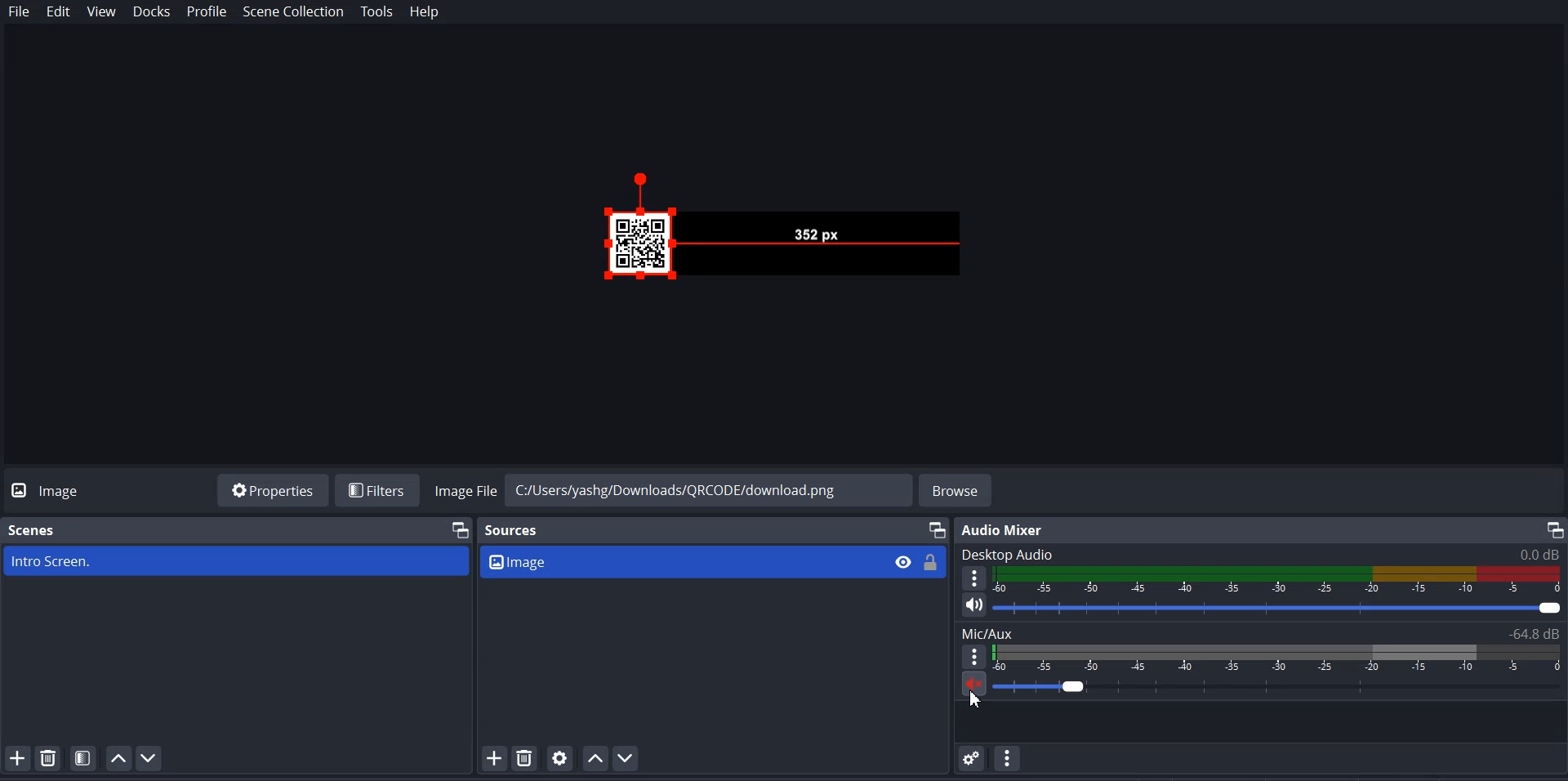 This screenshot has width=1568, height=781. I want to click on Text, so click(1262, 633).